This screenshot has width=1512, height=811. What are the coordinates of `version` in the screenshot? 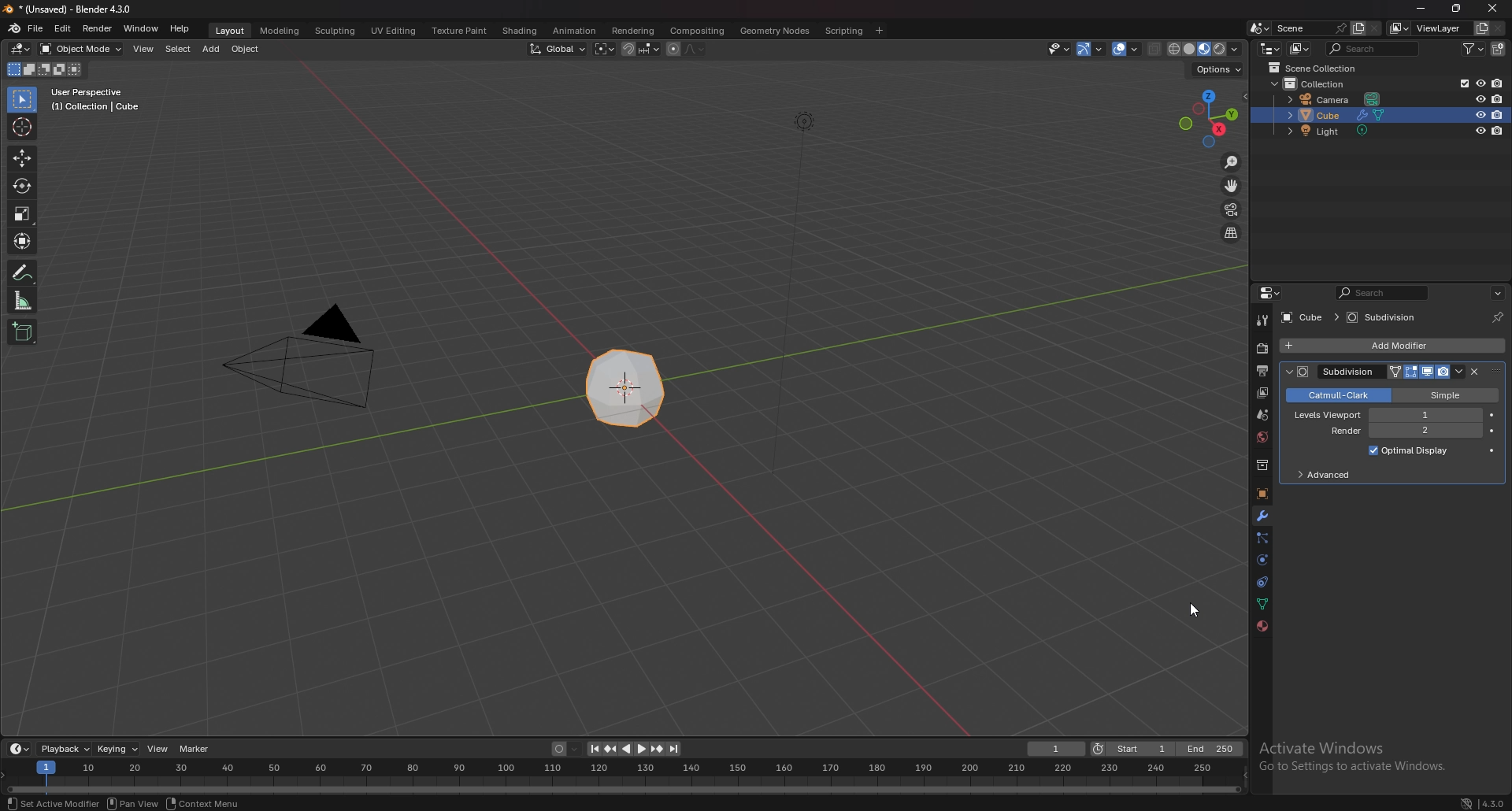 It's located at (1494, 802).